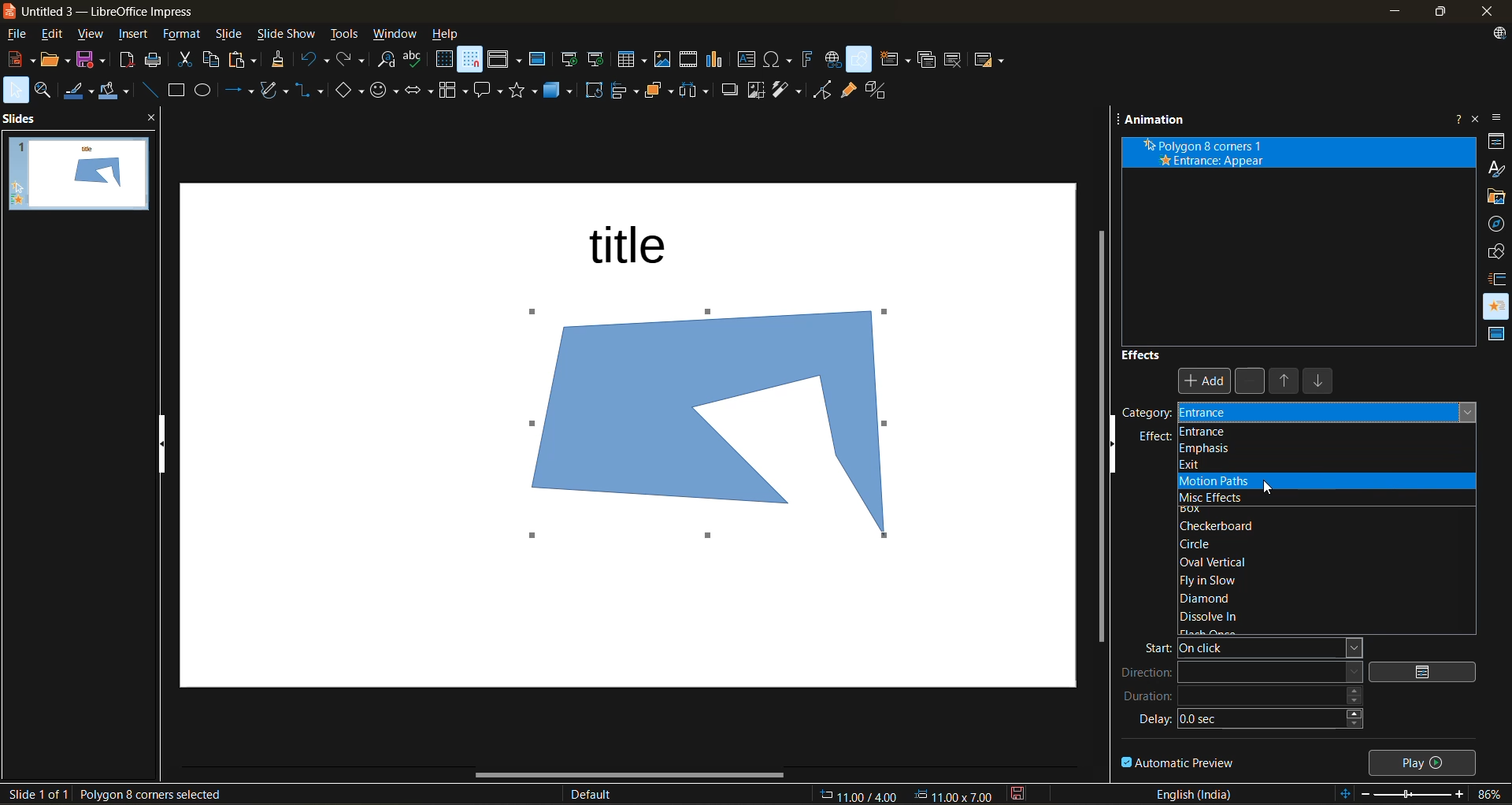 The image size is (1512, 805). Describe the element at coordinates (80, 91) in the screenshot. I see `line color` at that location.